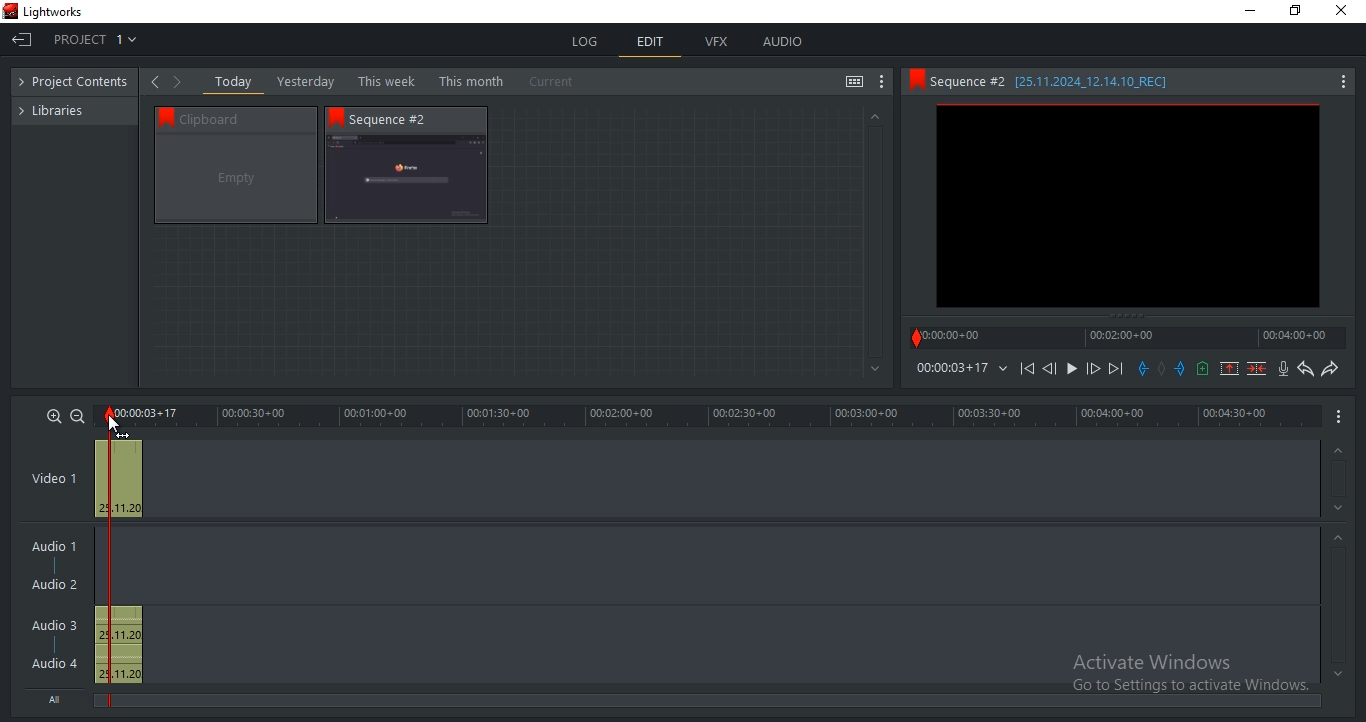 The image size is (1366, 722). What do you see at coordinates (61, 625) in the screenshot?
I see `Audio 3` at bounding box center [61, 625].